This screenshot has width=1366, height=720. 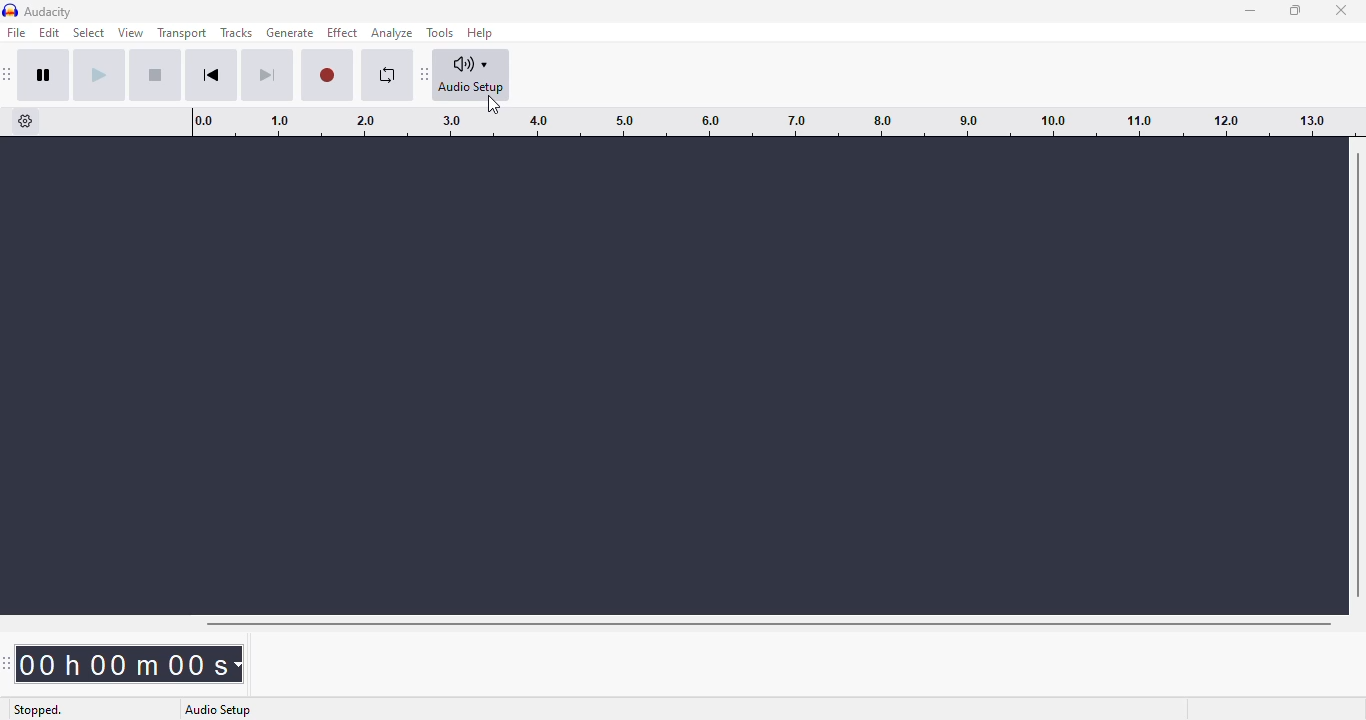 What do you see at coordinates (183, 32) in the screenshot?
I see `transport` at bounding box center [183, 32].